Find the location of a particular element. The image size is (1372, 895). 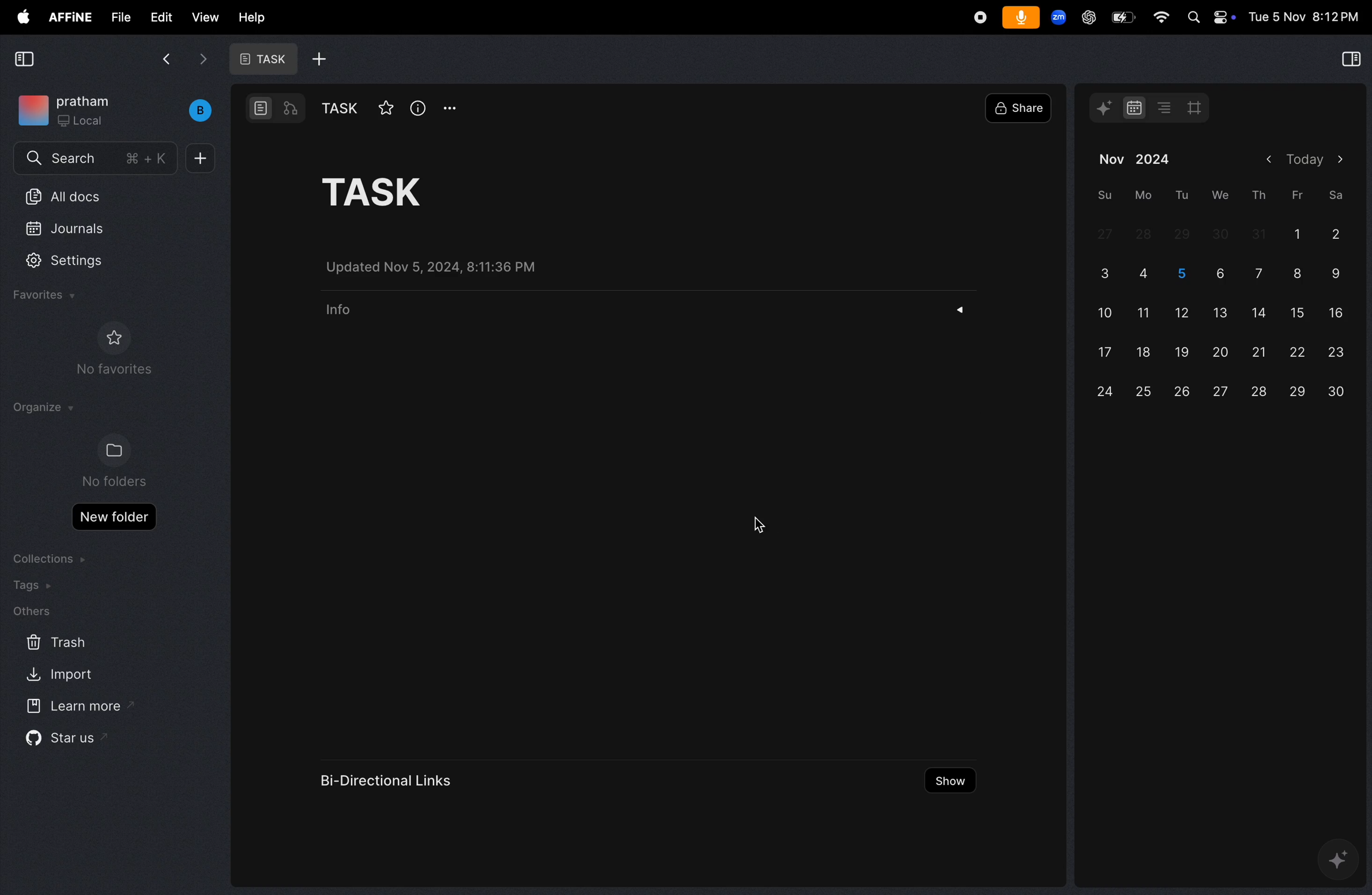

help is located at coordinates (250, 16).